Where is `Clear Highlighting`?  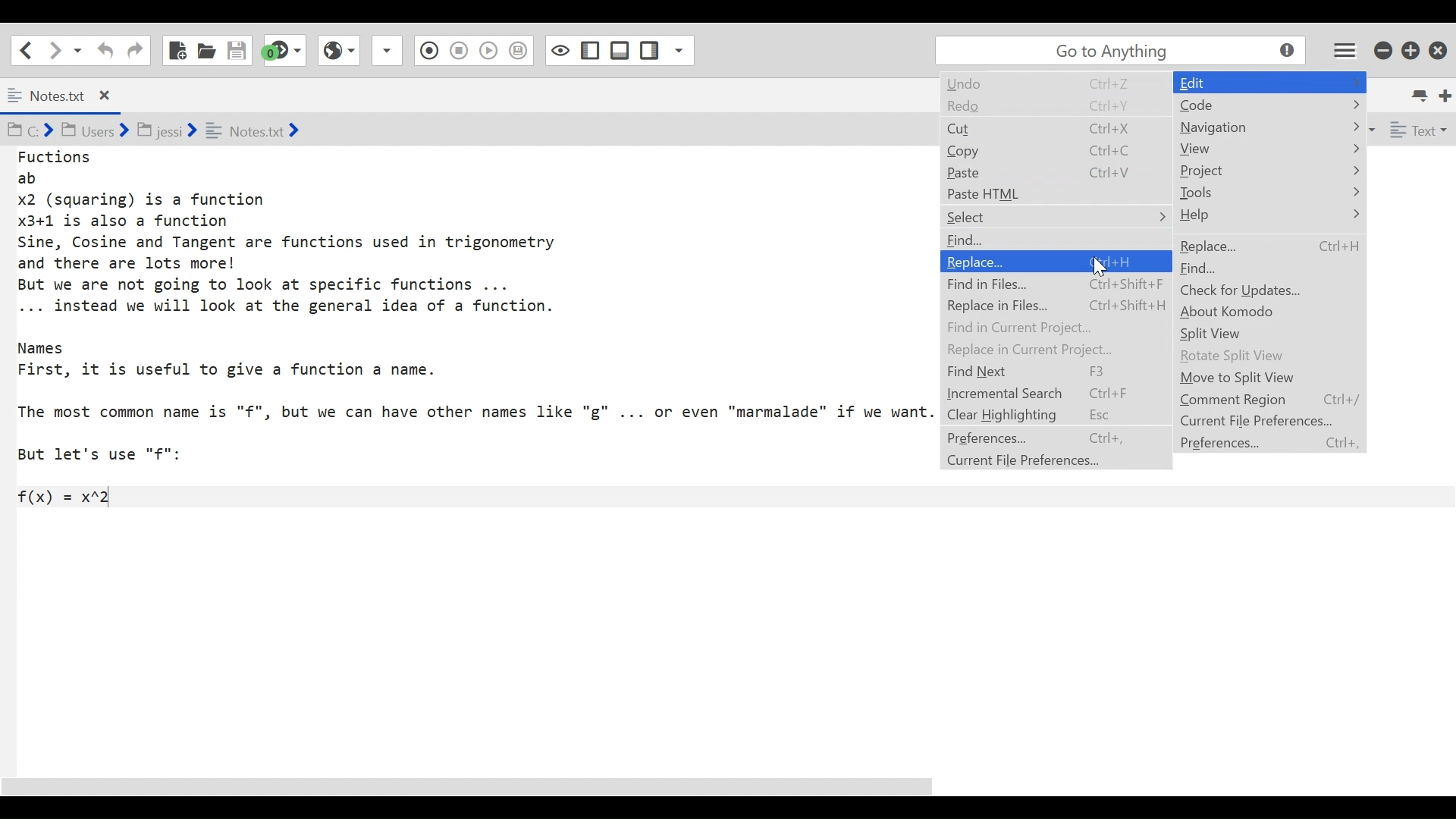
Clear Highlighting is located at coordinates (1040, 416).